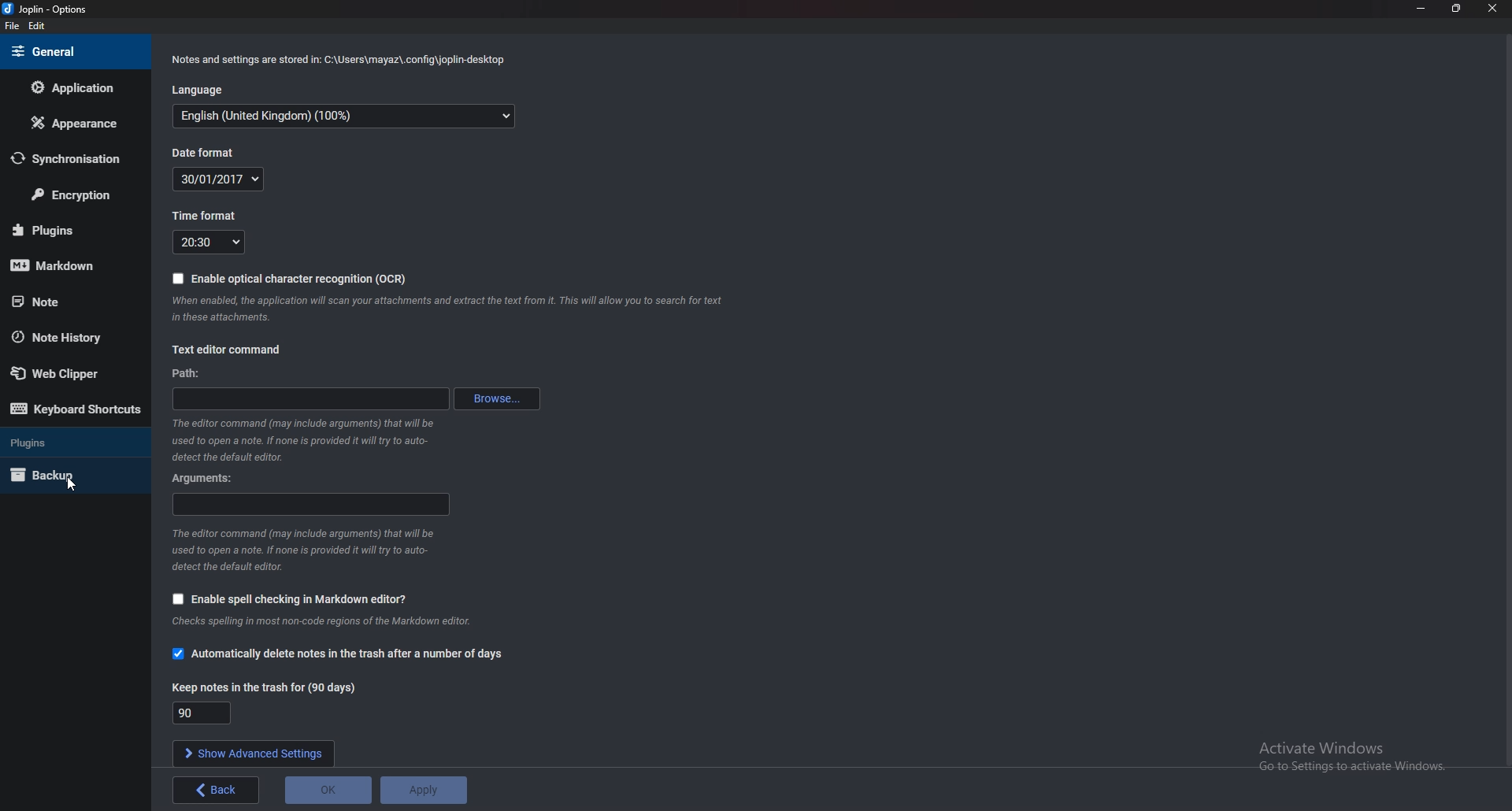  Describe the element at coordinates (70, 300) in the screenshot. I see `Note` at that location.